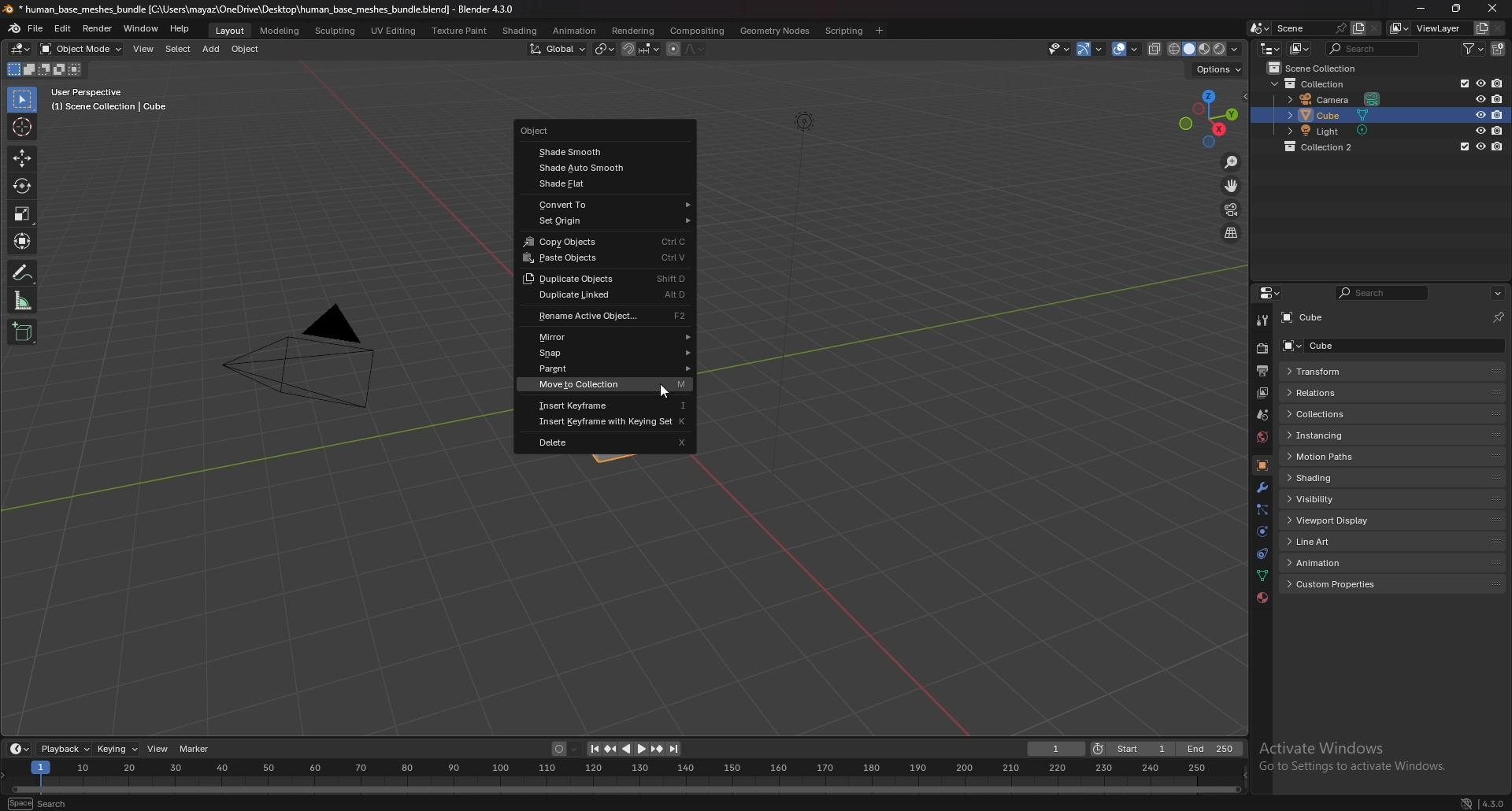 This screenshot has width=1512, height=811. What do you see at coordinates (80, 49) in the screenshot?
I see `object mode` at bounding box center [80, 49].